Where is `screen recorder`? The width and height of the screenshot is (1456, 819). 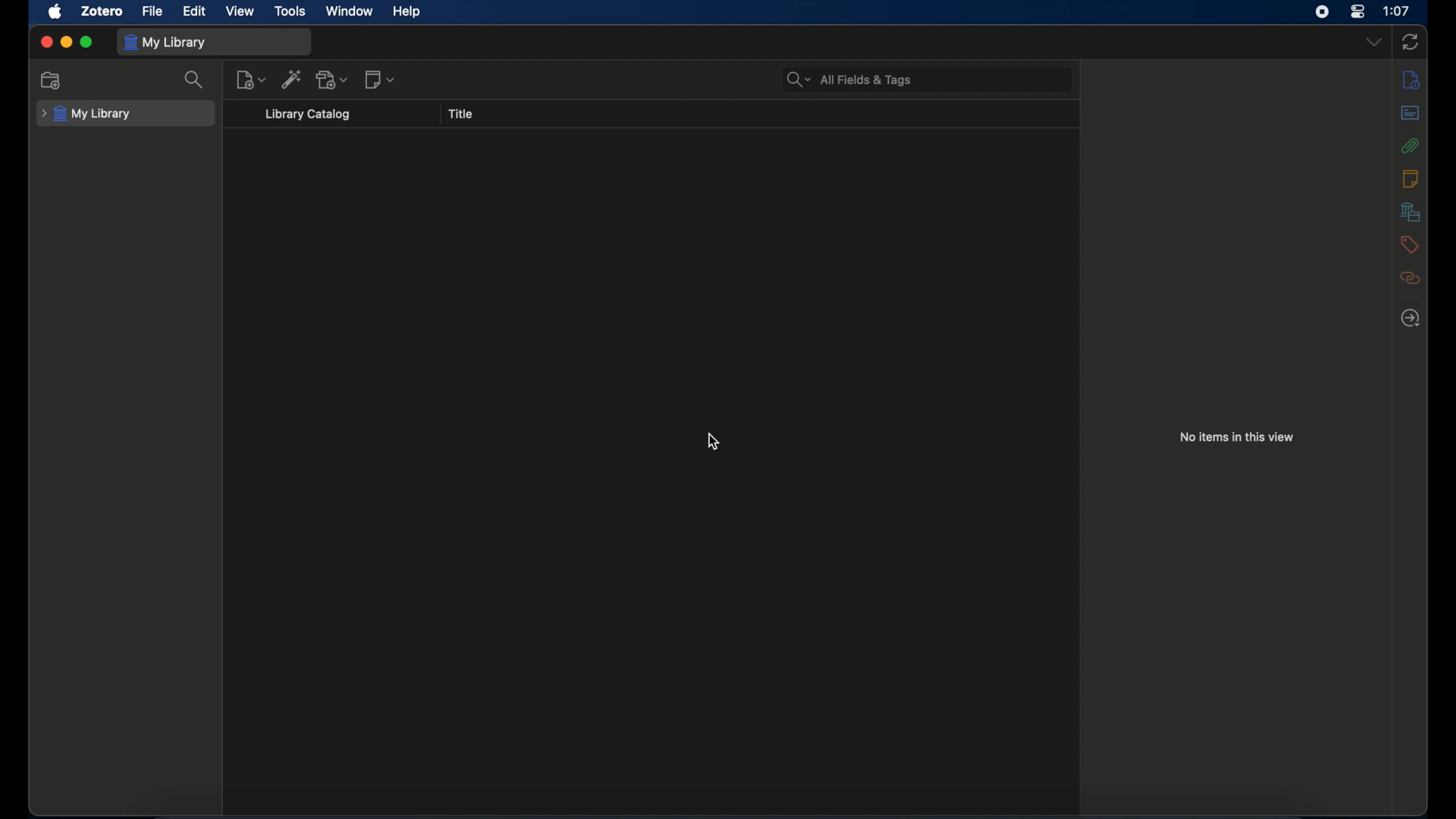
screen recorder is located at coordinates (1321, 11).